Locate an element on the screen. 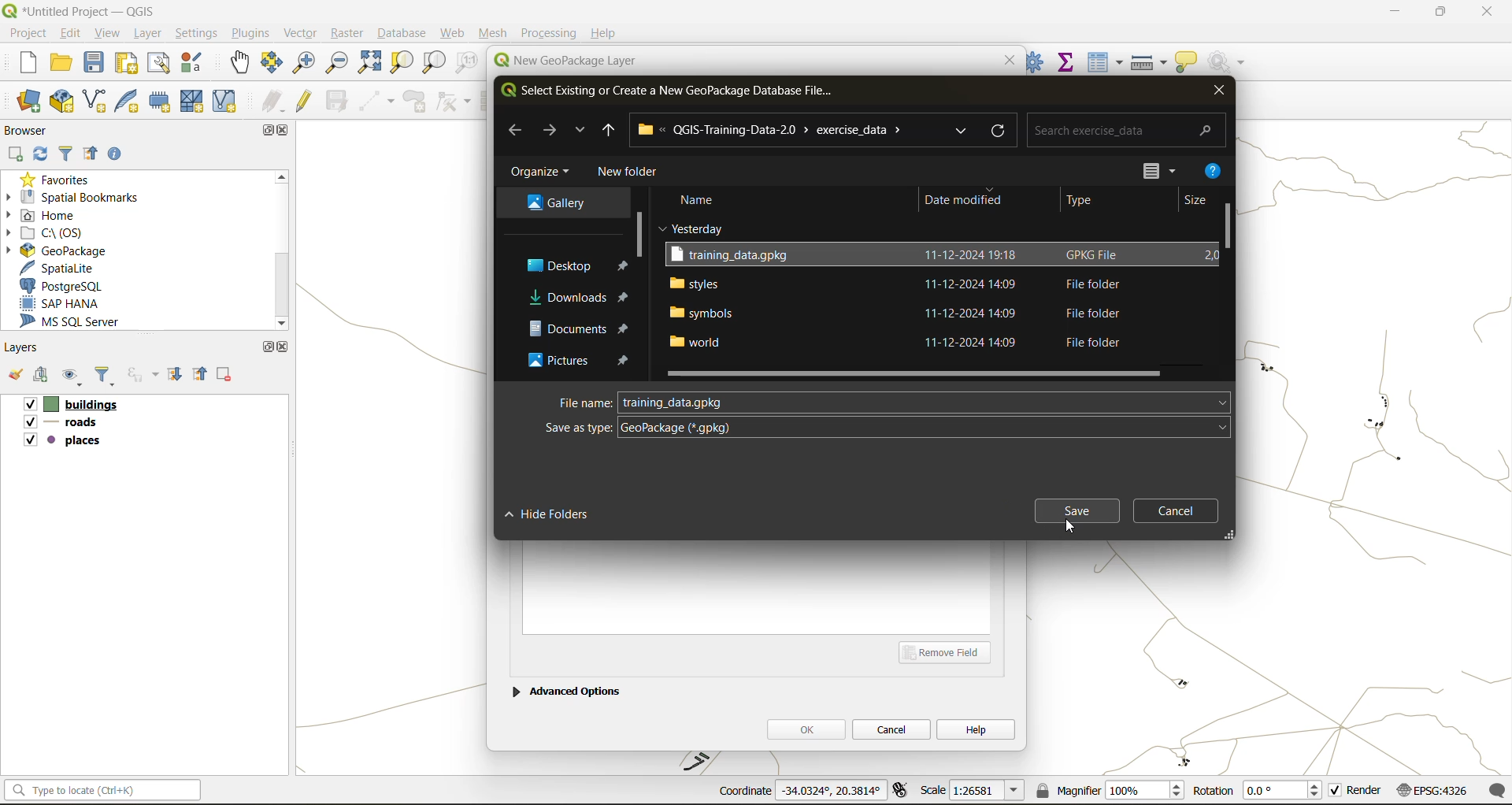 This screenshot has width=1512, height=805. temporary scratch layer is located at coordinates (161, 102).